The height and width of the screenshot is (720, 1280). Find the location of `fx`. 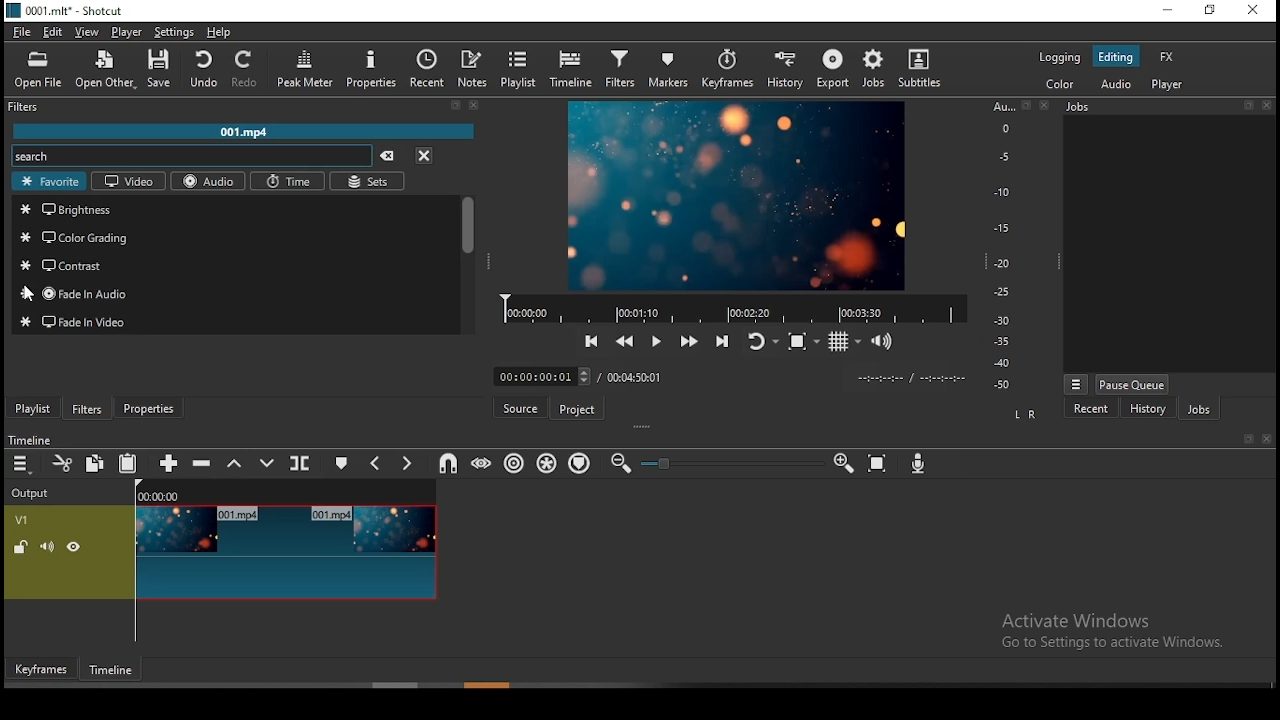

fx is located at coordinates (1167, 55).